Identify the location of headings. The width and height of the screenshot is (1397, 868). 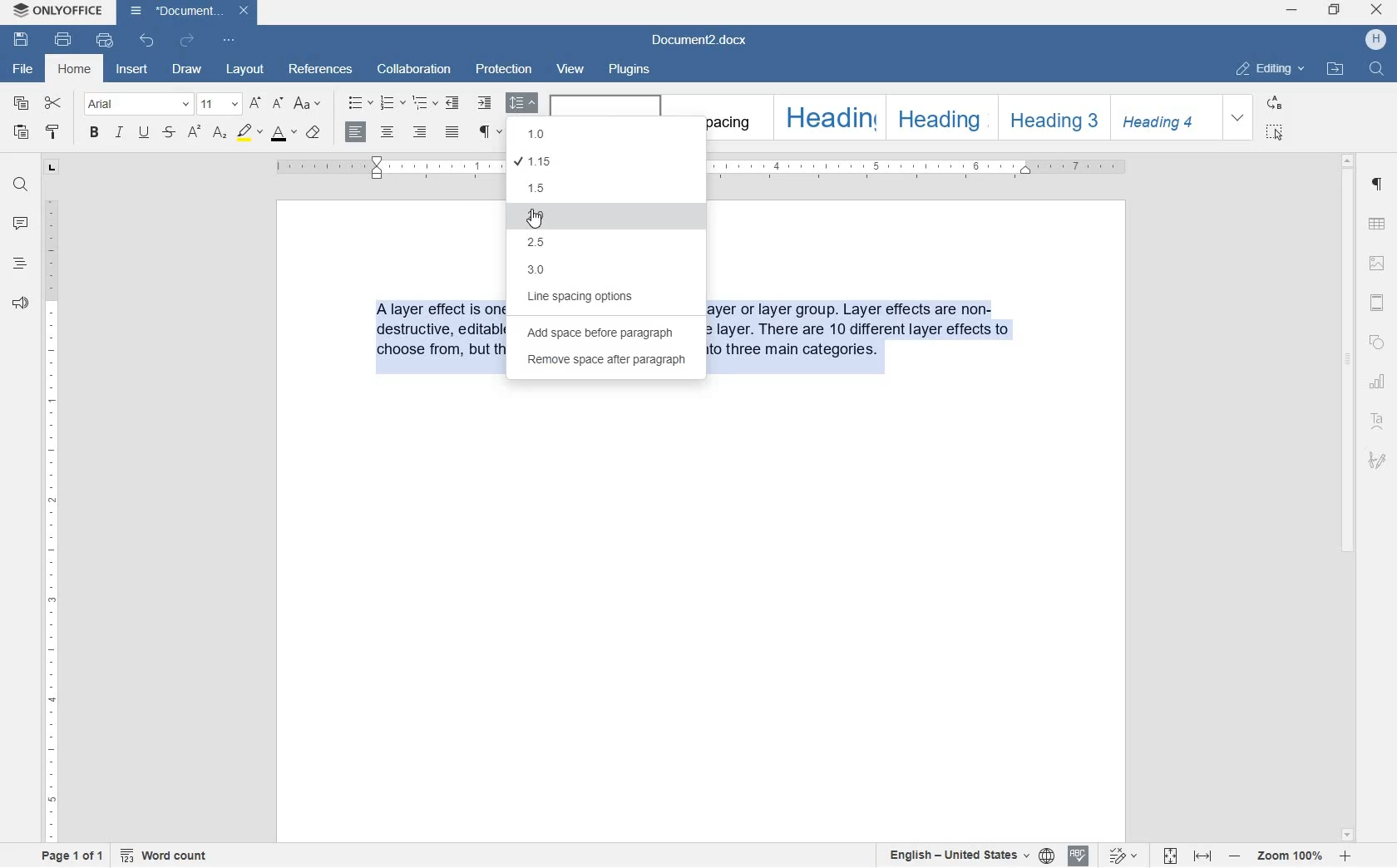
(20, 265).